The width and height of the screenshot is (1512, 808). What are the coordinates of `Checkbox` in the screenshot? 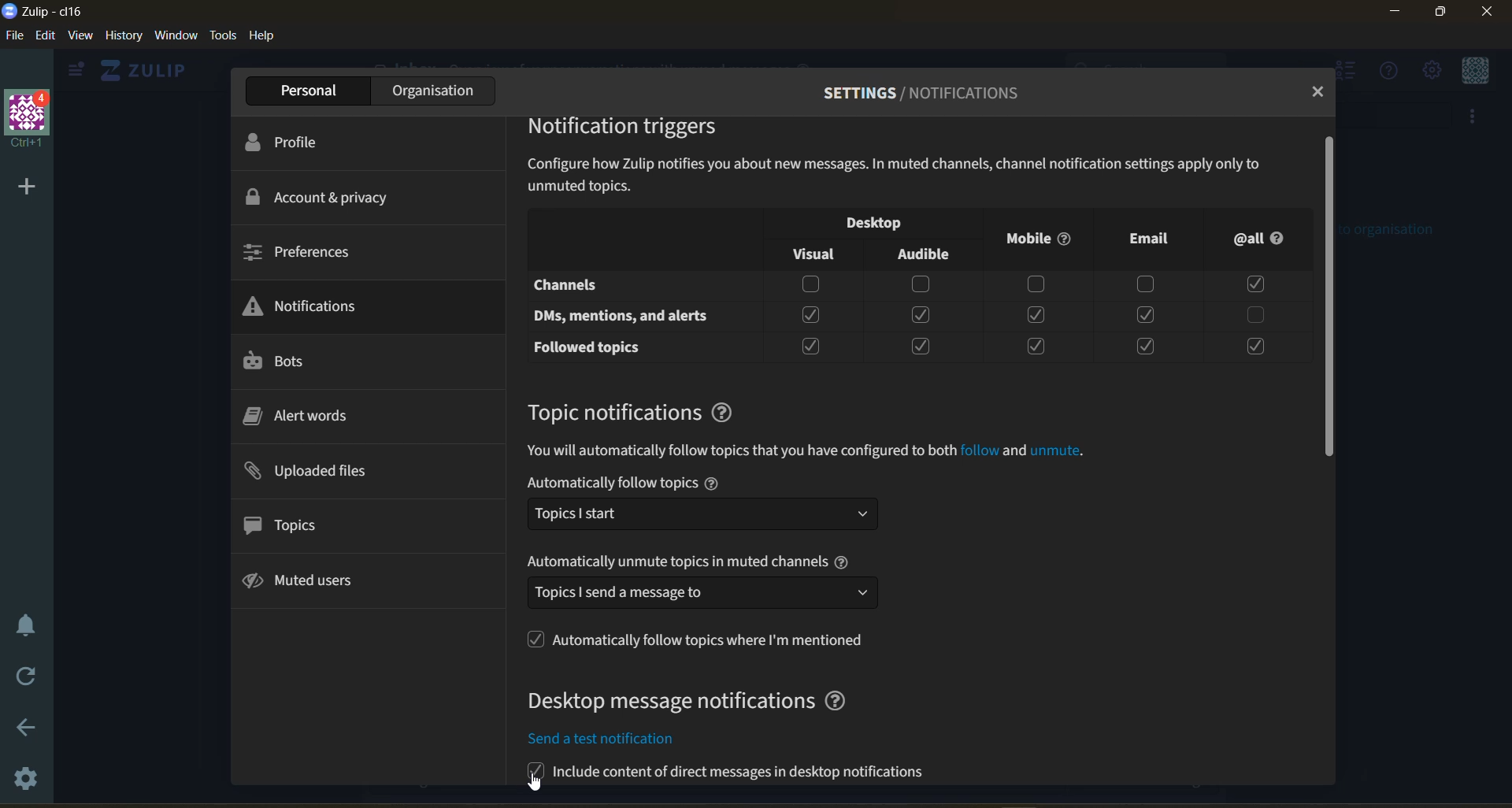 It's located at (920, 346).